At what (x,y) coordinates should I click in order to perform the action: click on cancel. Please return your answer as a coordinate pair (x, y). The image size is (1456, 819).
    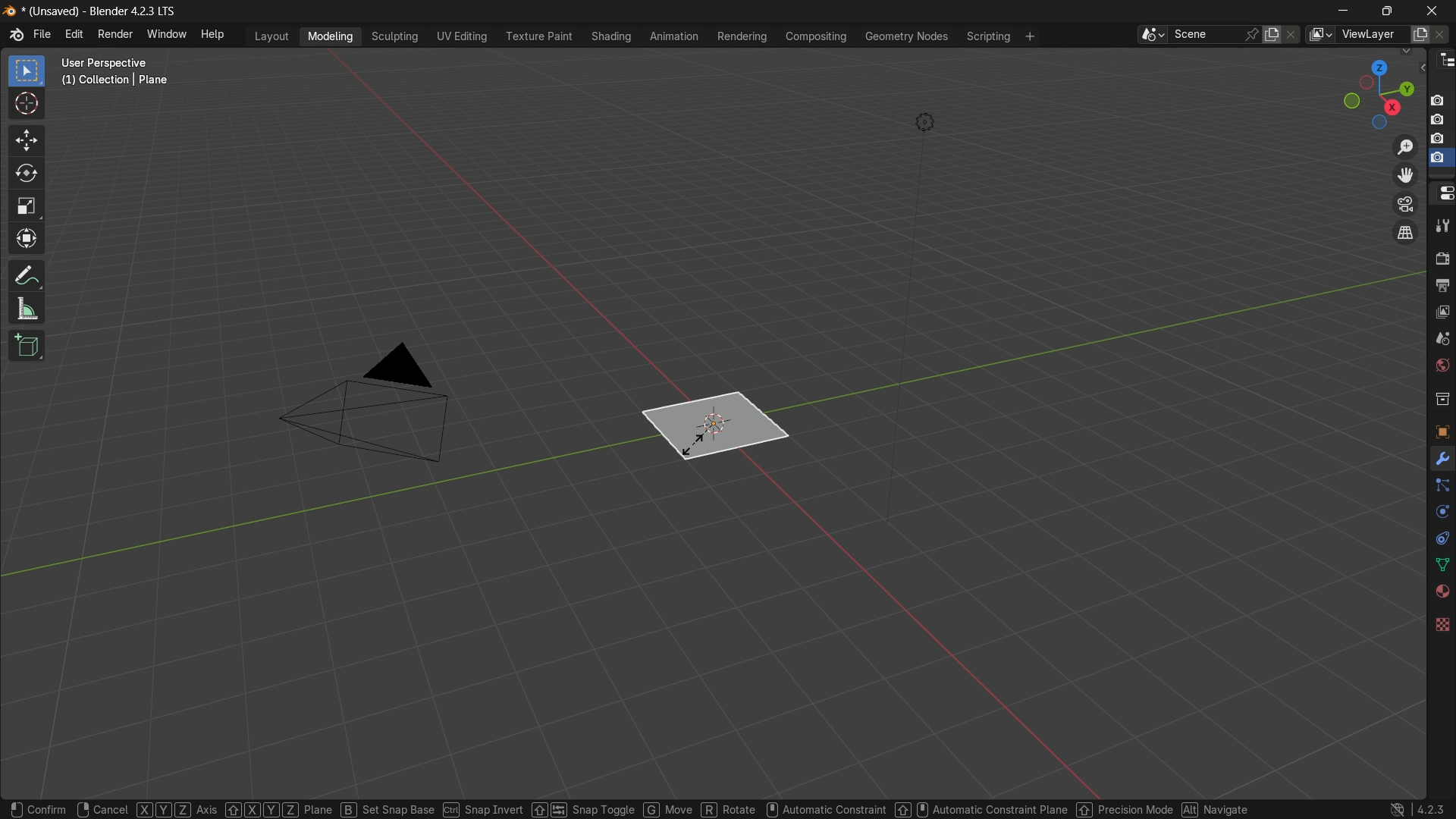
    Looking at the image, I should click on (102, 802).